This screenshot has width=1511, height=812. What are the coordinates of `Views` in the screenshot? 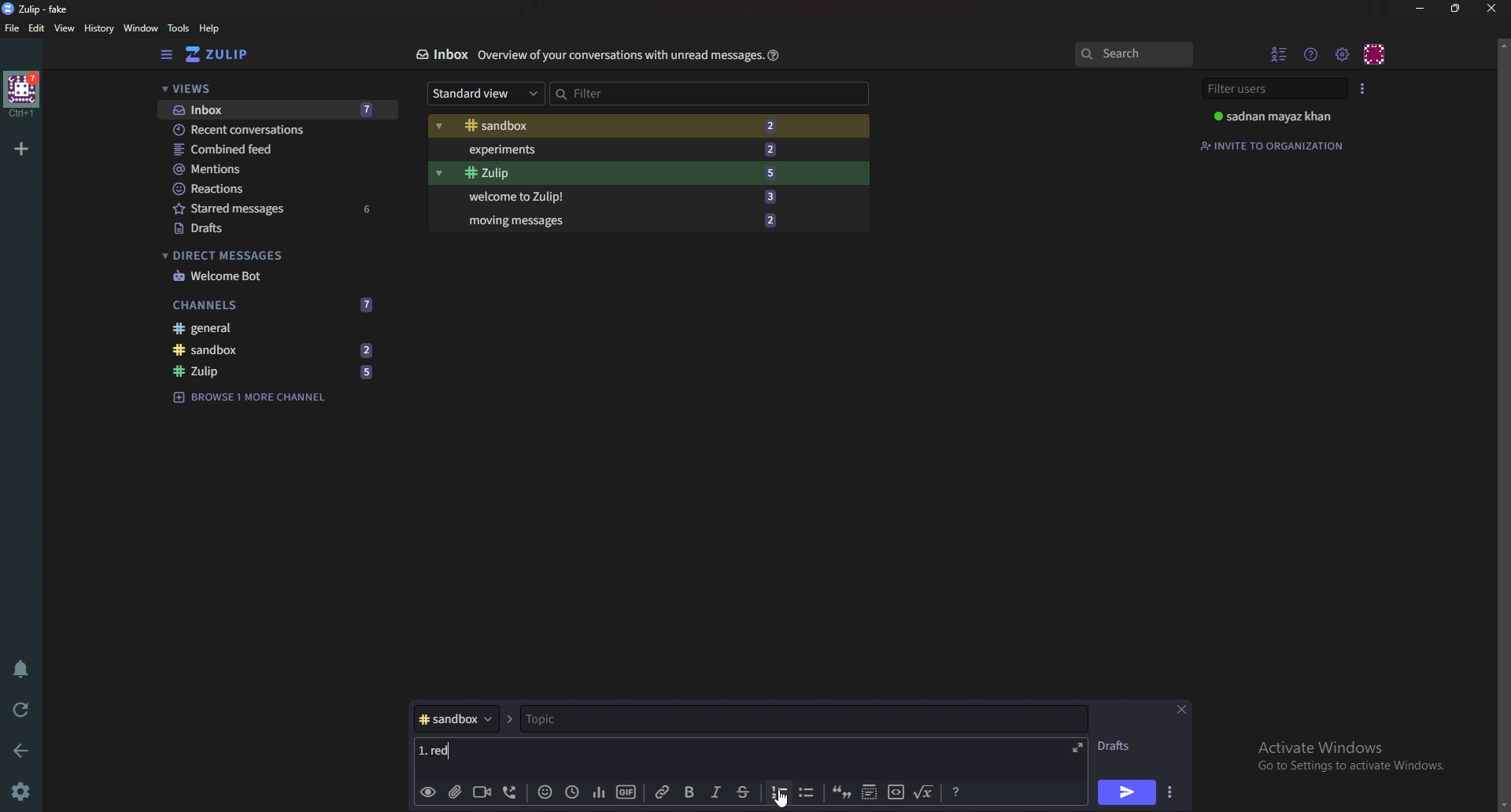 It's located at (269, 90).